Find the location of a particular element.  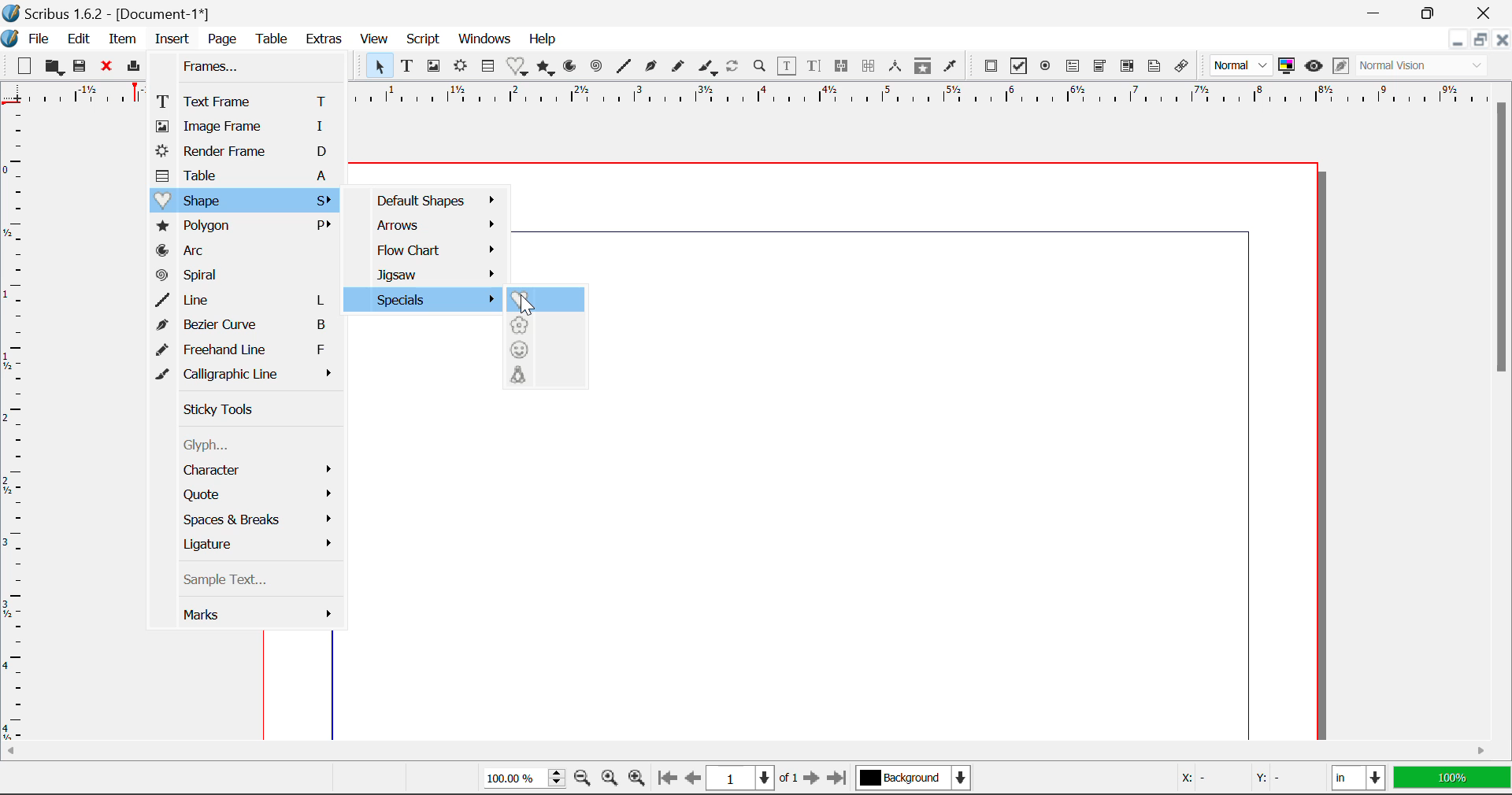

Open is located at coordinates (55, 67).